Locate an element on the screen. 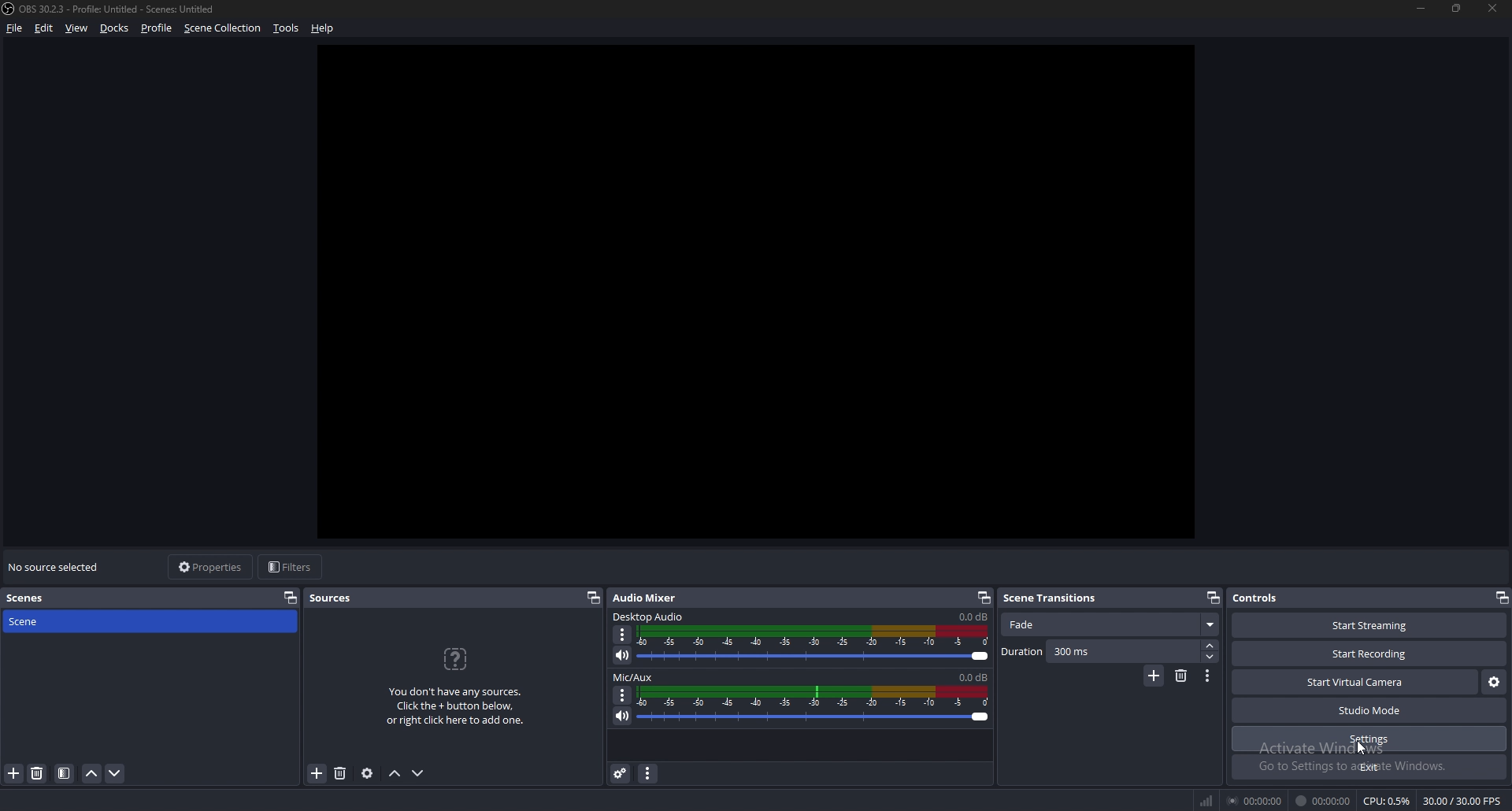 This screenshot has height=811, width=1512. options is located at coordinates (622, 635).